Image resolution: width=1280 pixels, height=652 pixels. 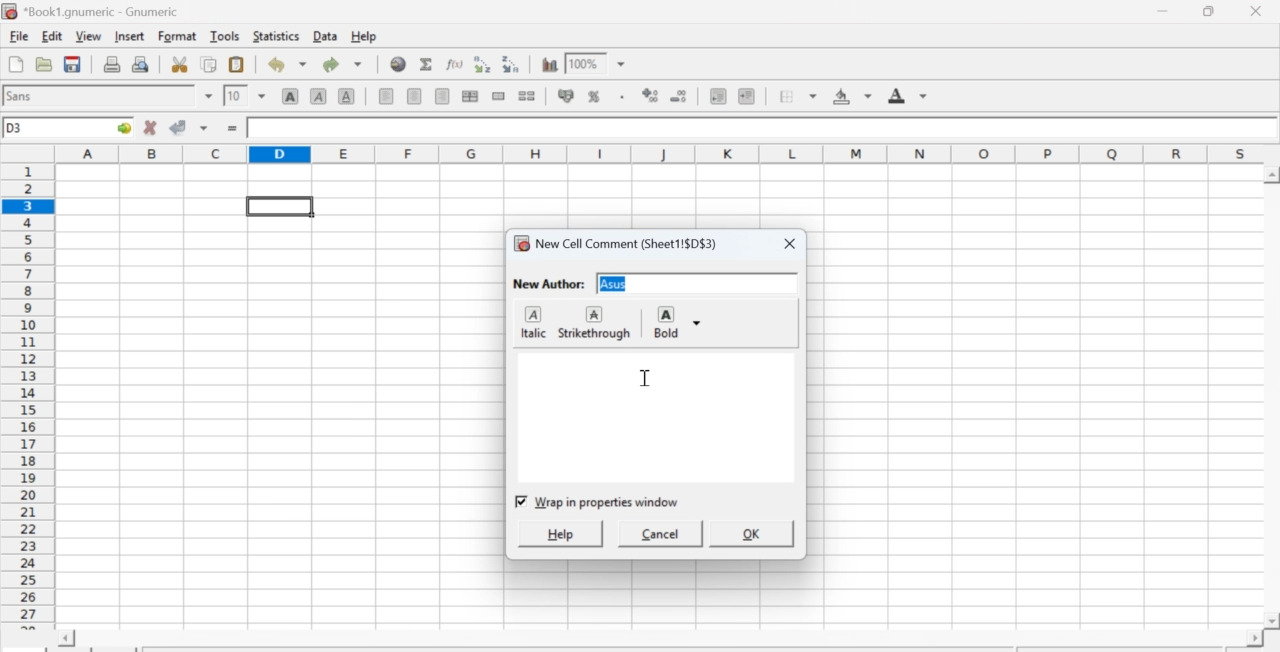 I want to click on input text, so click(x=698, y=285).